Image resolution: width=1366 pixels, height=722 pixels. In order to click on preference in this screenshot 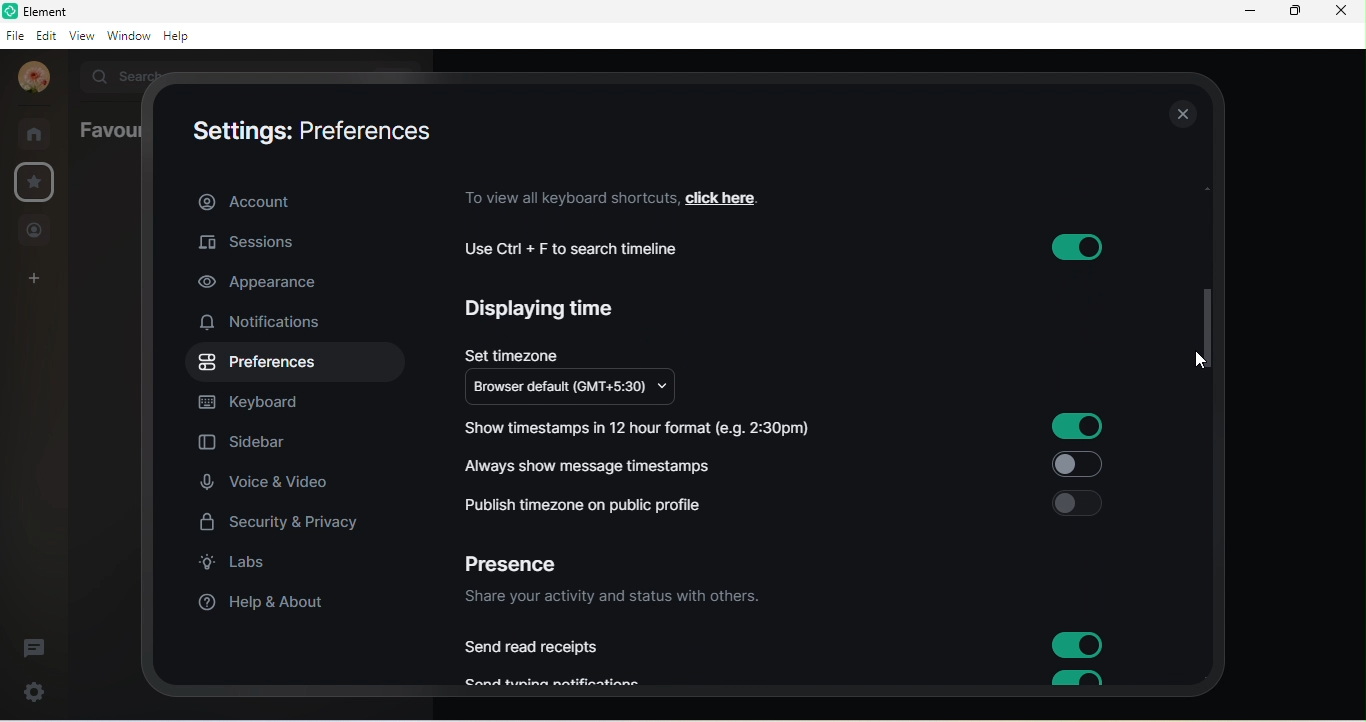, I will do `click(260, 364)`.